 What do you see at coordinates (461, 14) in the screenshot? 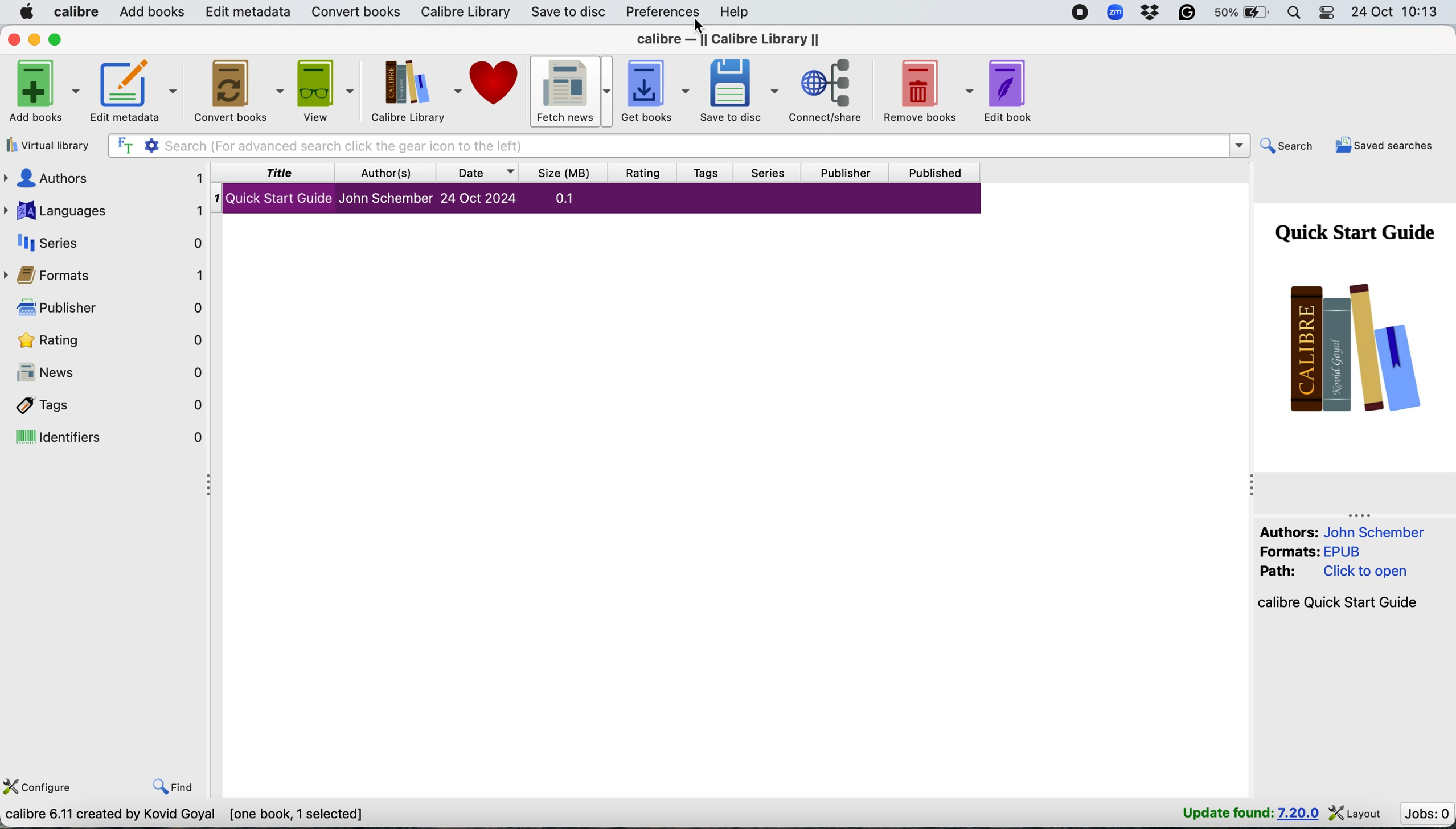
I see `calibre library` at bounding box center [461, 14].